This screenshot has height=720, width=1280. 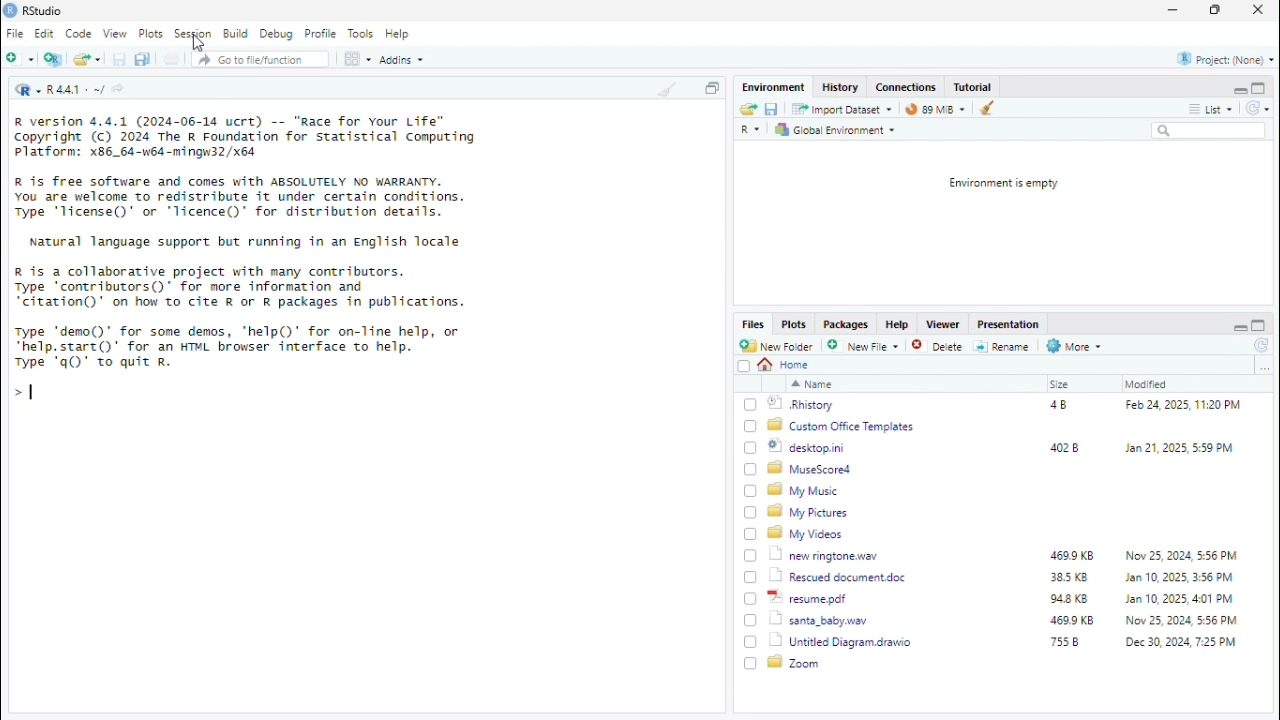 What do you see at coordinates (751, 534) in the screenshot?
I see `Checkbox` at bounding box center [751, 534].